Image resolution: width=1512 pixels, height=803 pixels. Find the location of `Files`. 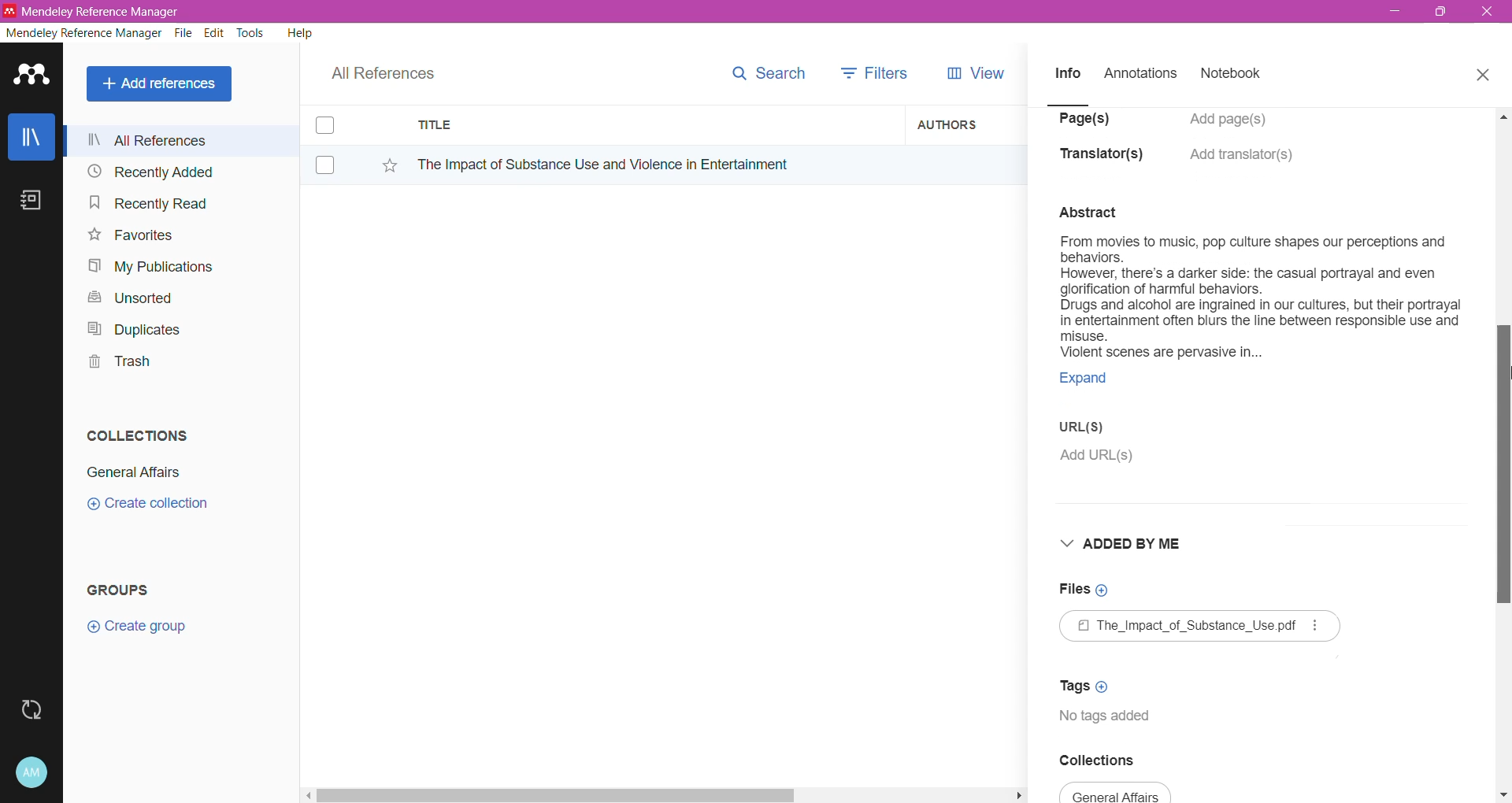

Files is located at coordinates (1091, 589).